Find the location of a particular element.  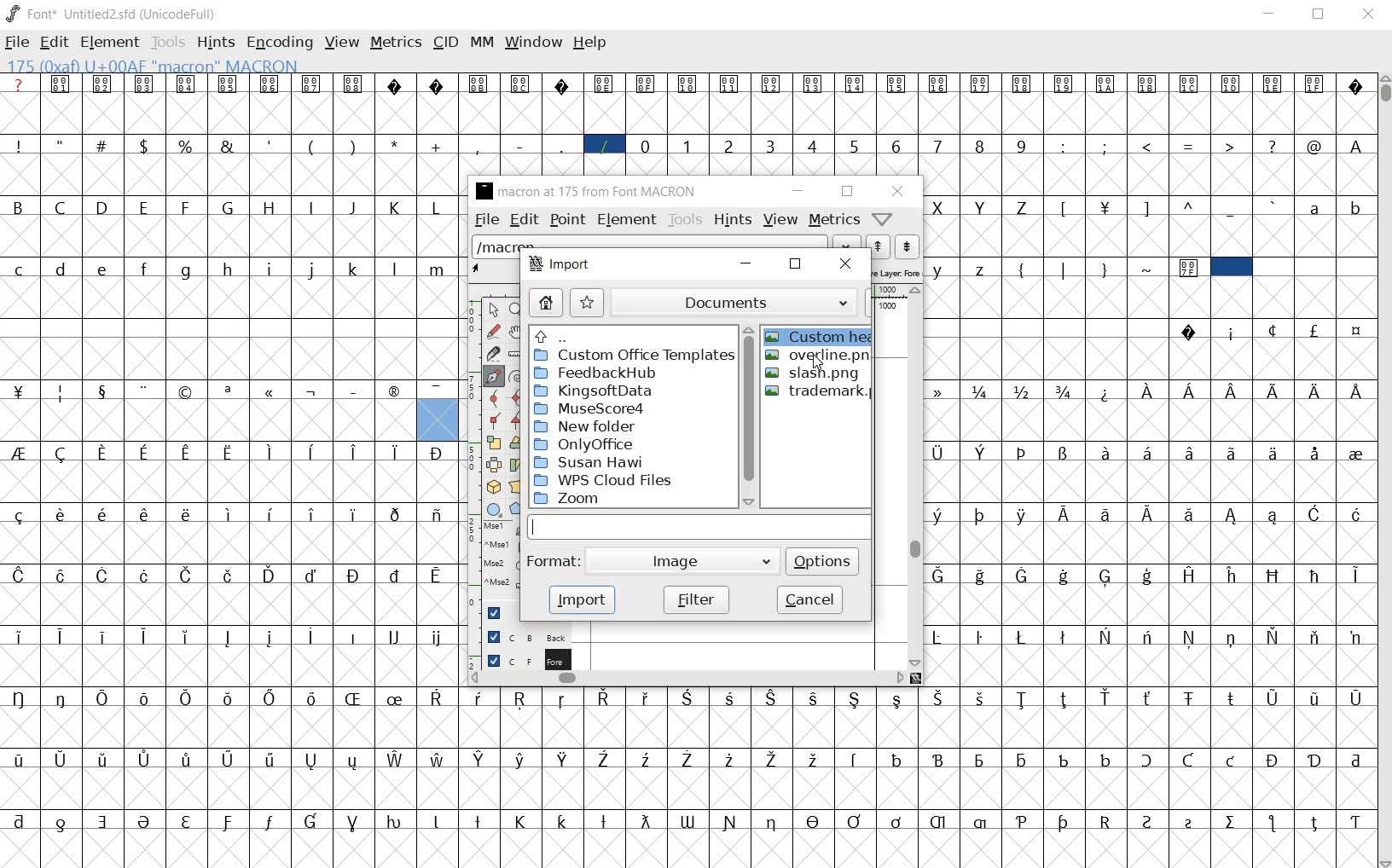

freehand is located at coordinates (491, 331).